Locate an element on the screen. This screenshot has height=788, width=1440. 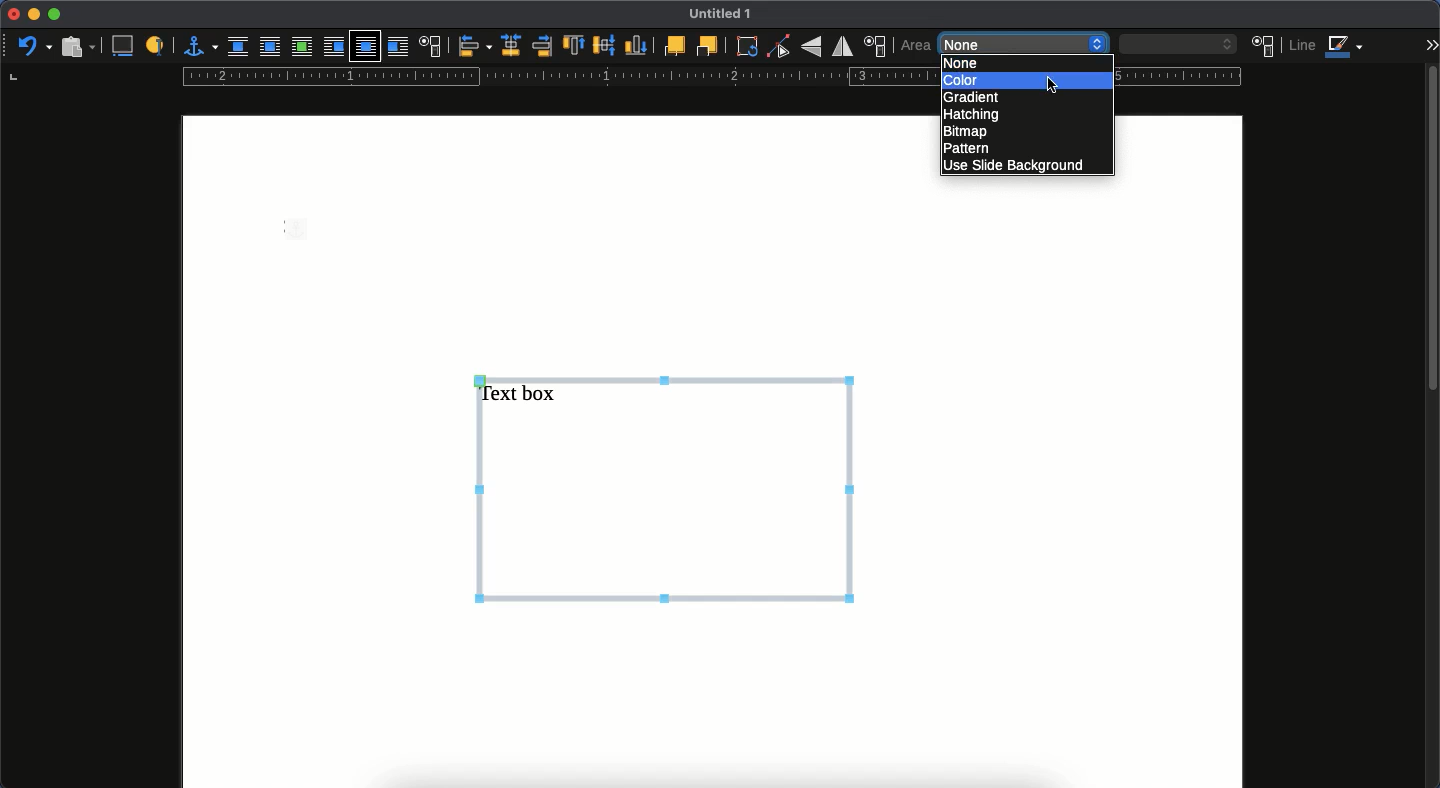
after is located at coordinates (400, 49).